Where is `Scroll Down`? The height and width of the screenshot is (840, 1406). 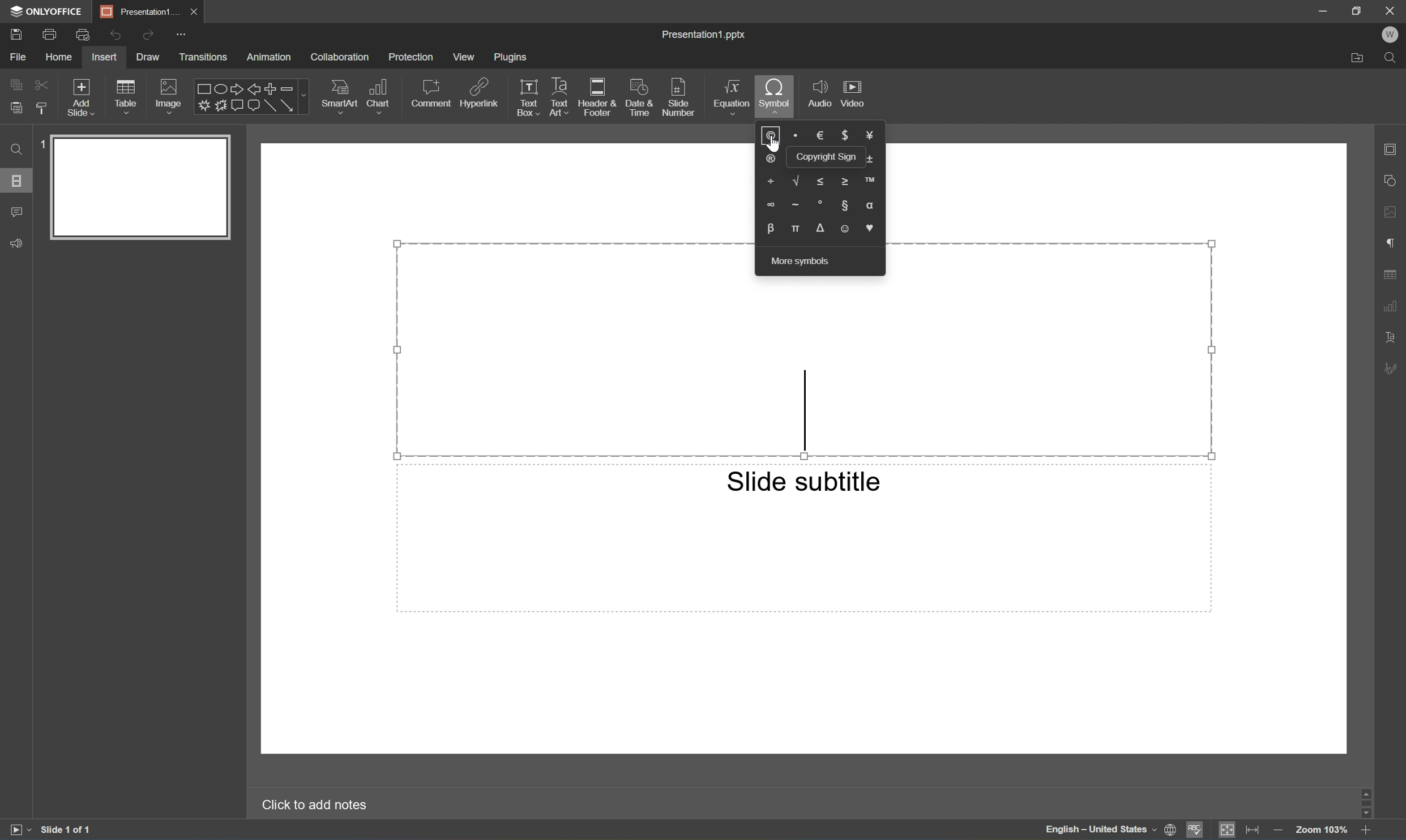
Scroll Down is located at coordinates (1363, 816).